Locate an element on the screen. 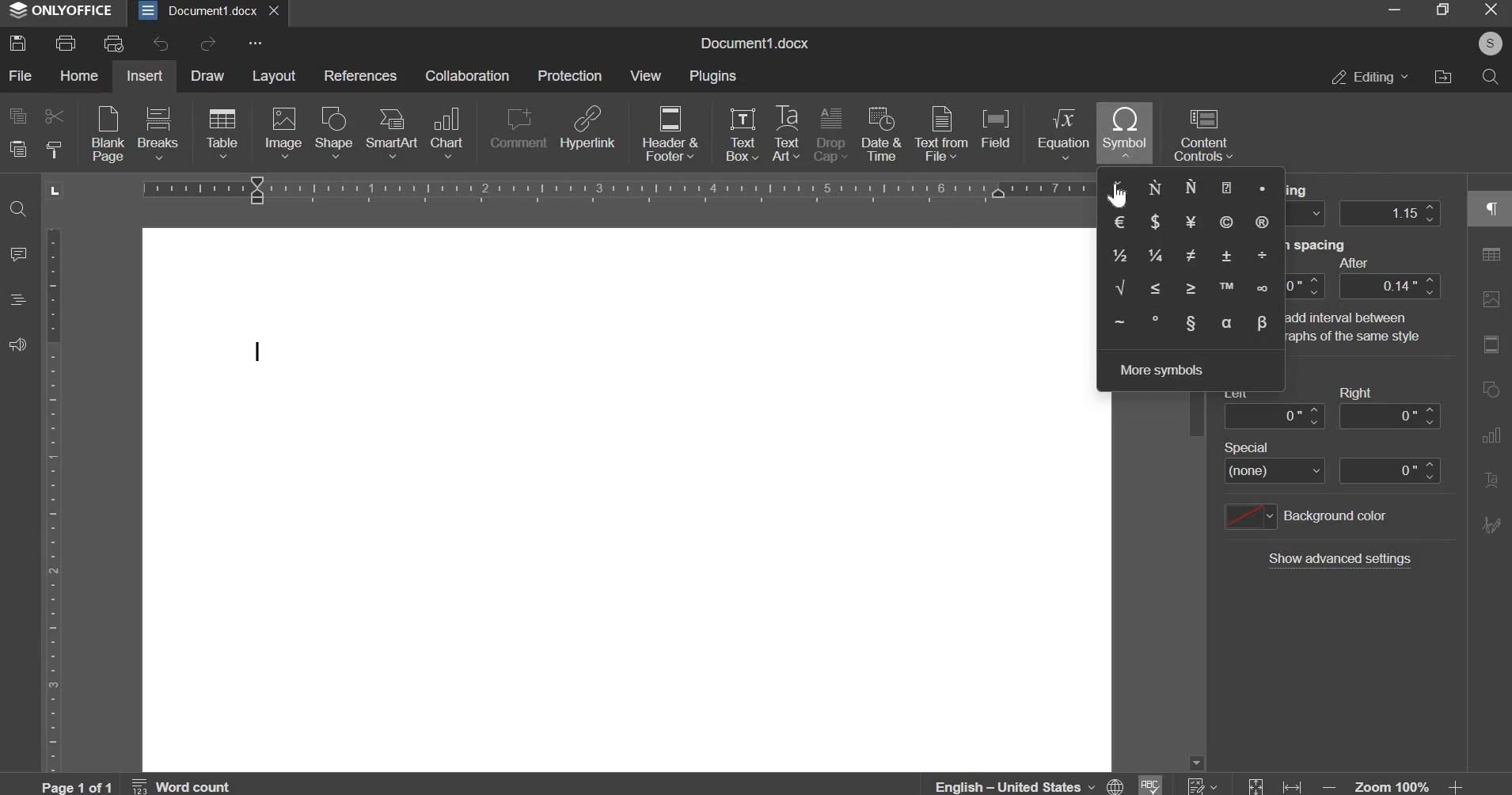 This screenshot has height=795, width=1512. save is located at coordinates (19, 45).